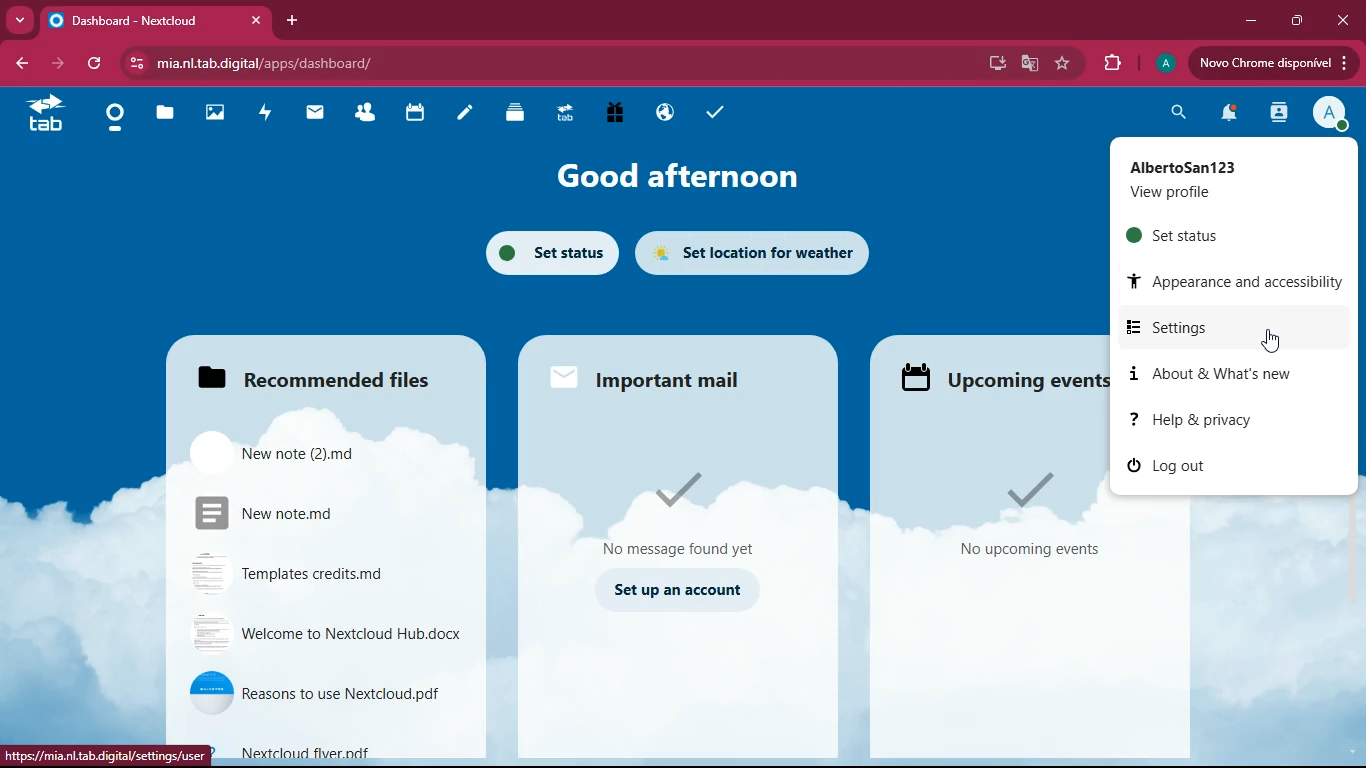 Image resolution: width=1366 pixels, height=768 pixels. I want to click on file, so click(346, 751).